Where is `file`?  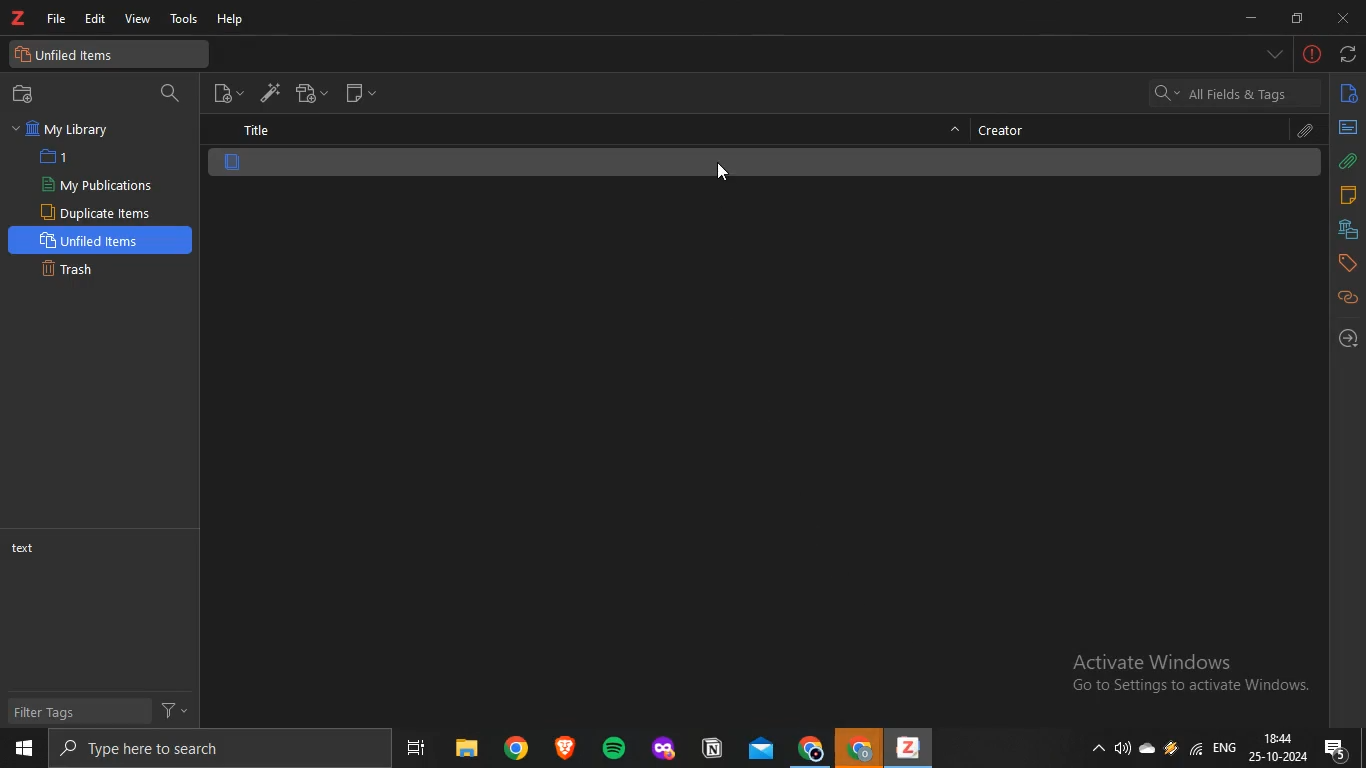 file is located at coordinates (55, 18).